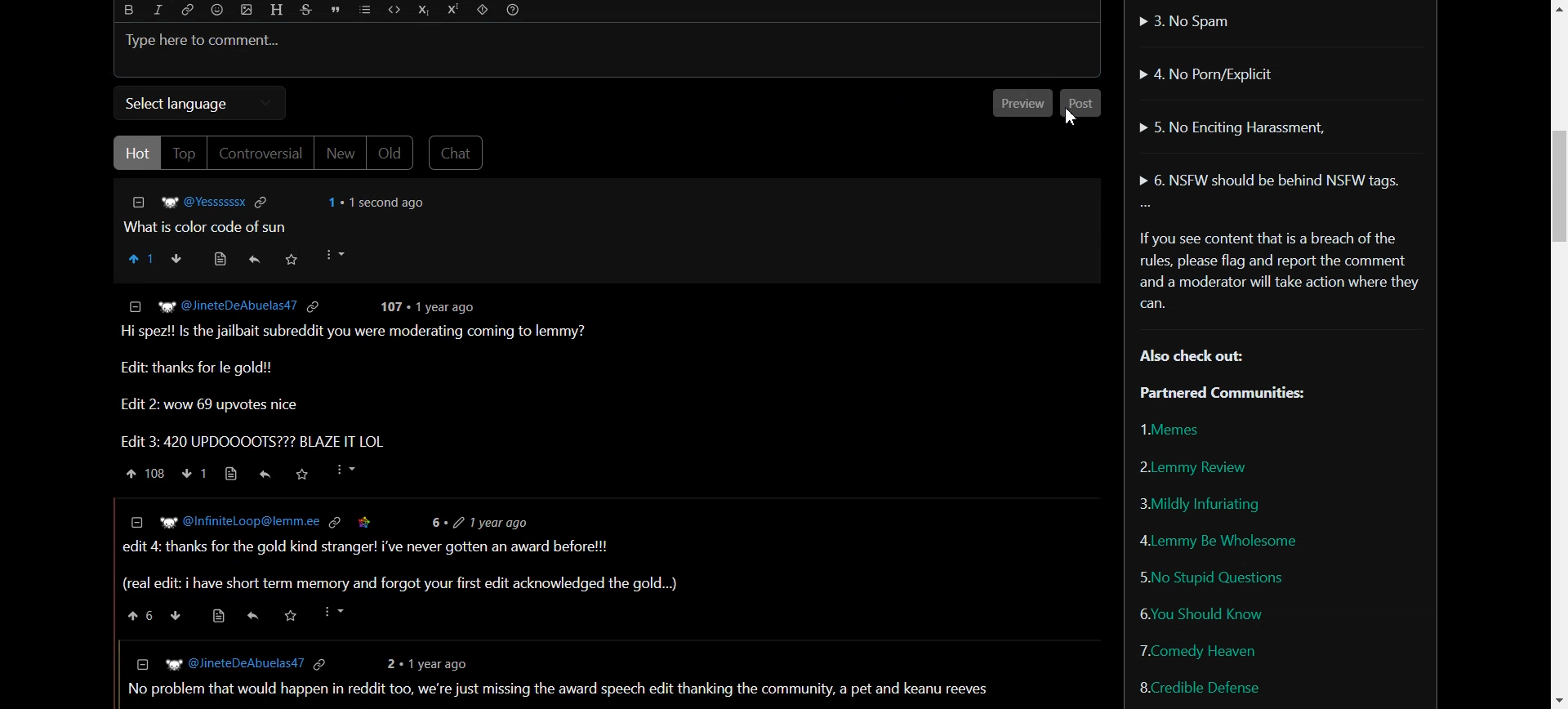  What do you see at coordinates (302, 475) in the screenshot?
I see `saved` at bounding box center [302, 475].